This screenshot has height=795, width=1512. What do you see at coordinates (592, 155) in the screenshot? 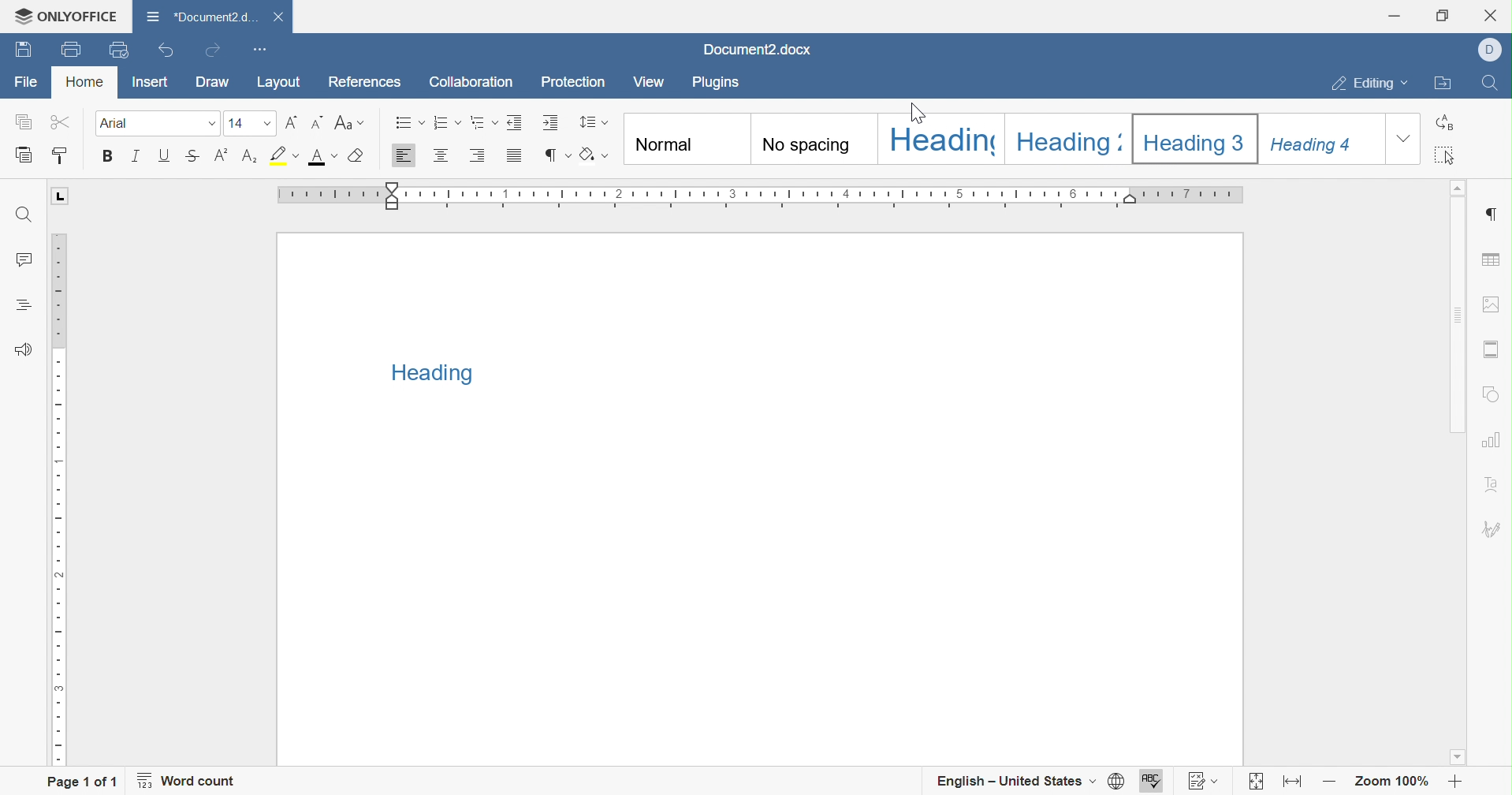
I see `Shading` at bounding box center [592, 155].